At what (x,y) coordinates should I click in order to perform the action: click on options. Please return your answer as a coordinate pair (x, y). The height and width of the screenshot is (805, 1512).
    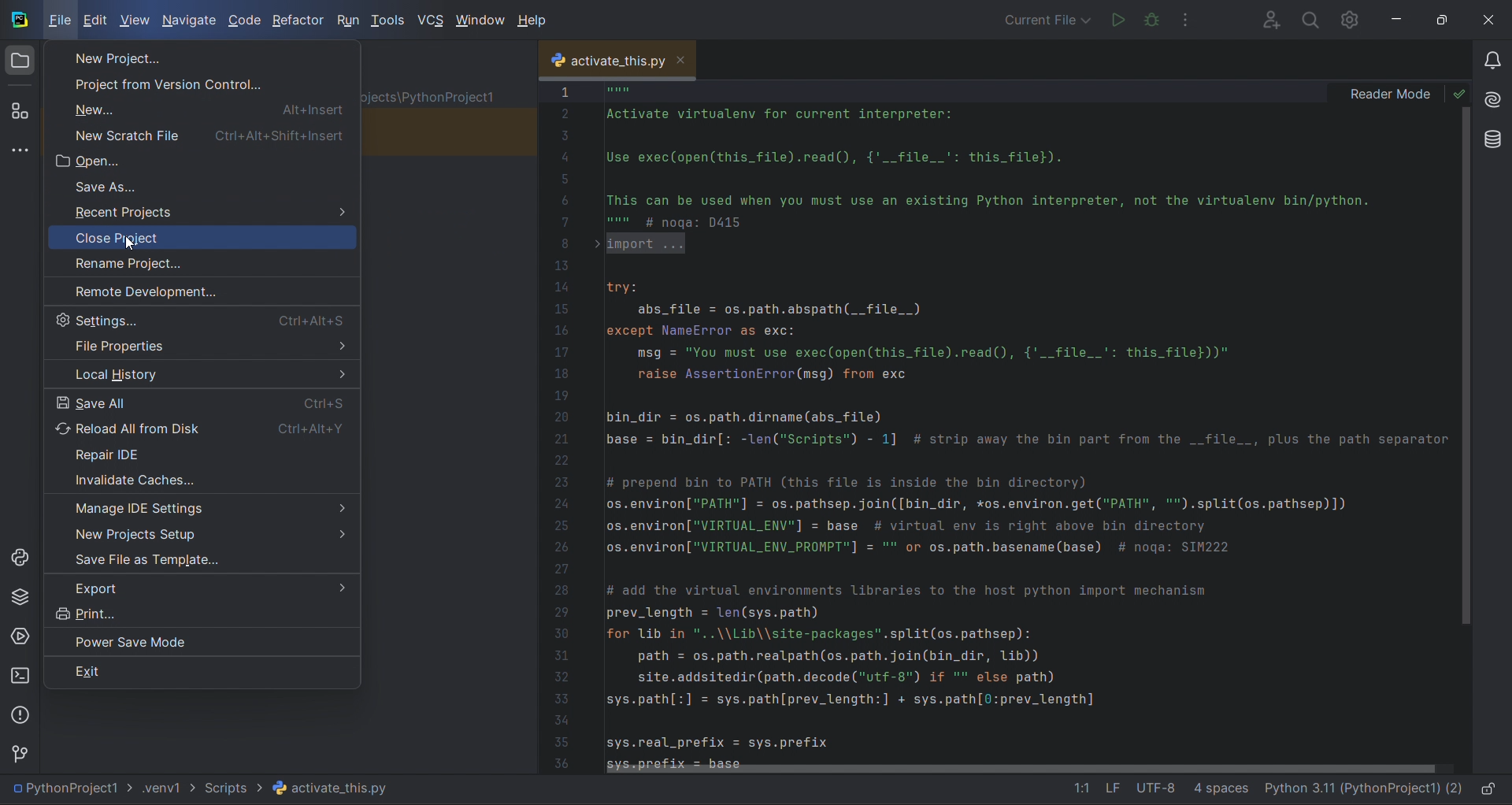
    Looking at the image, I should click on (1191, 21).